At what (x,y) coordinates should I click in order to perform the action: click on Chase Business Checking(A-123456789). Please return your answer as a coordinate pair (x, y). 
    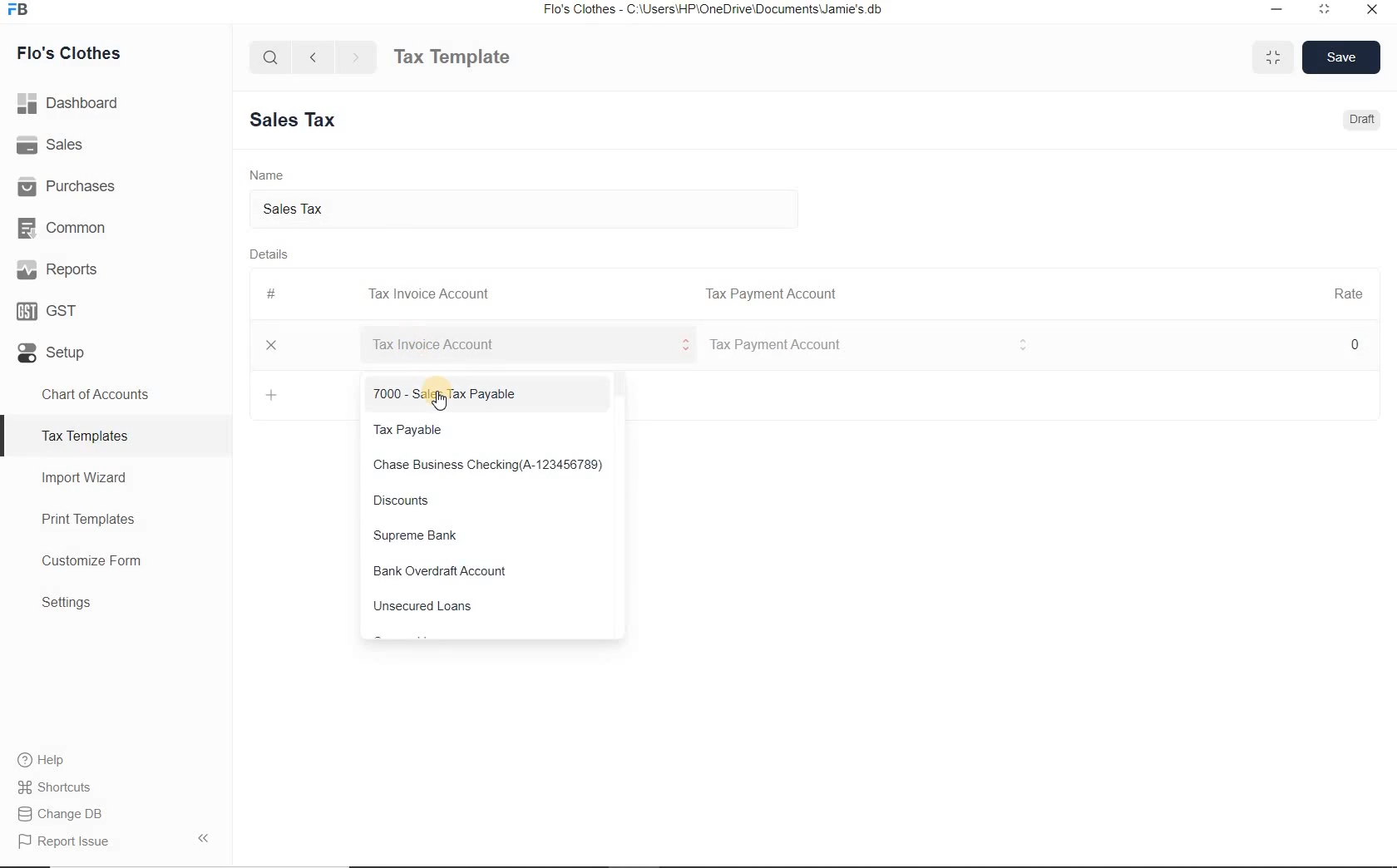
    Looking at the image, I should click on (491, 466).